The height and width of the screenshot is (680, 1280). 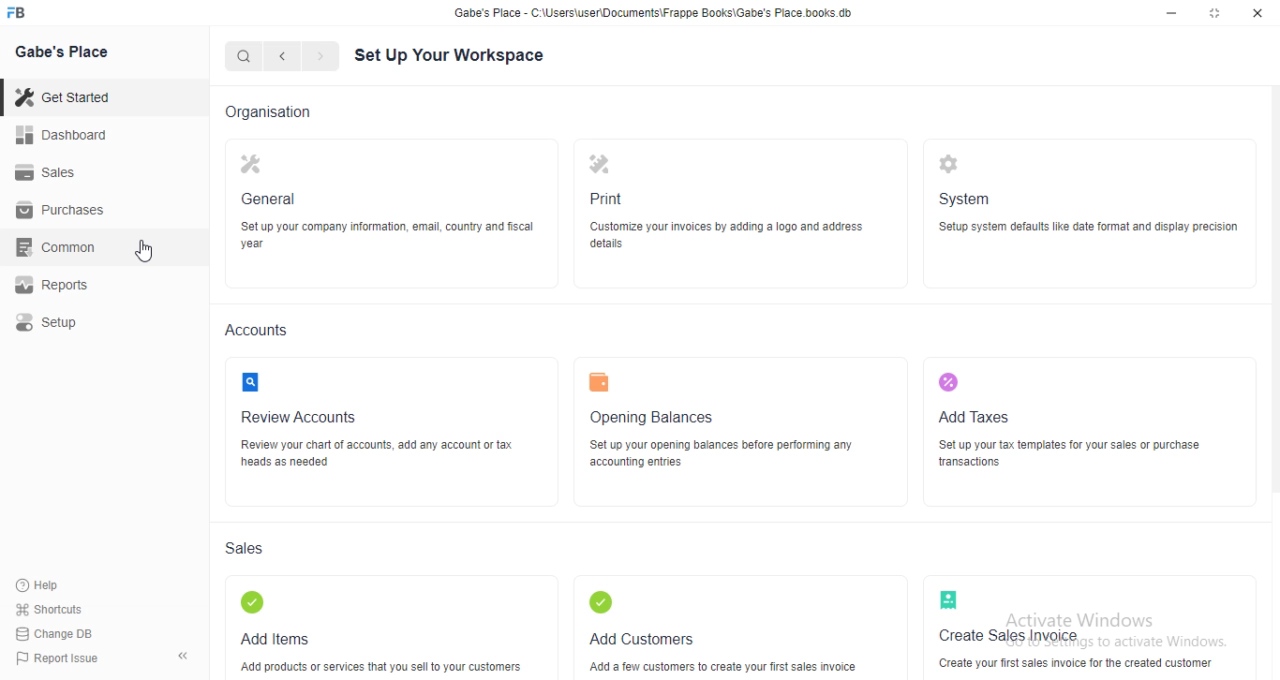 What do you see at coordinates (454, 56) in the screenshot?
I see `Set Up Your Workspace` at bounding box center [454, 56].